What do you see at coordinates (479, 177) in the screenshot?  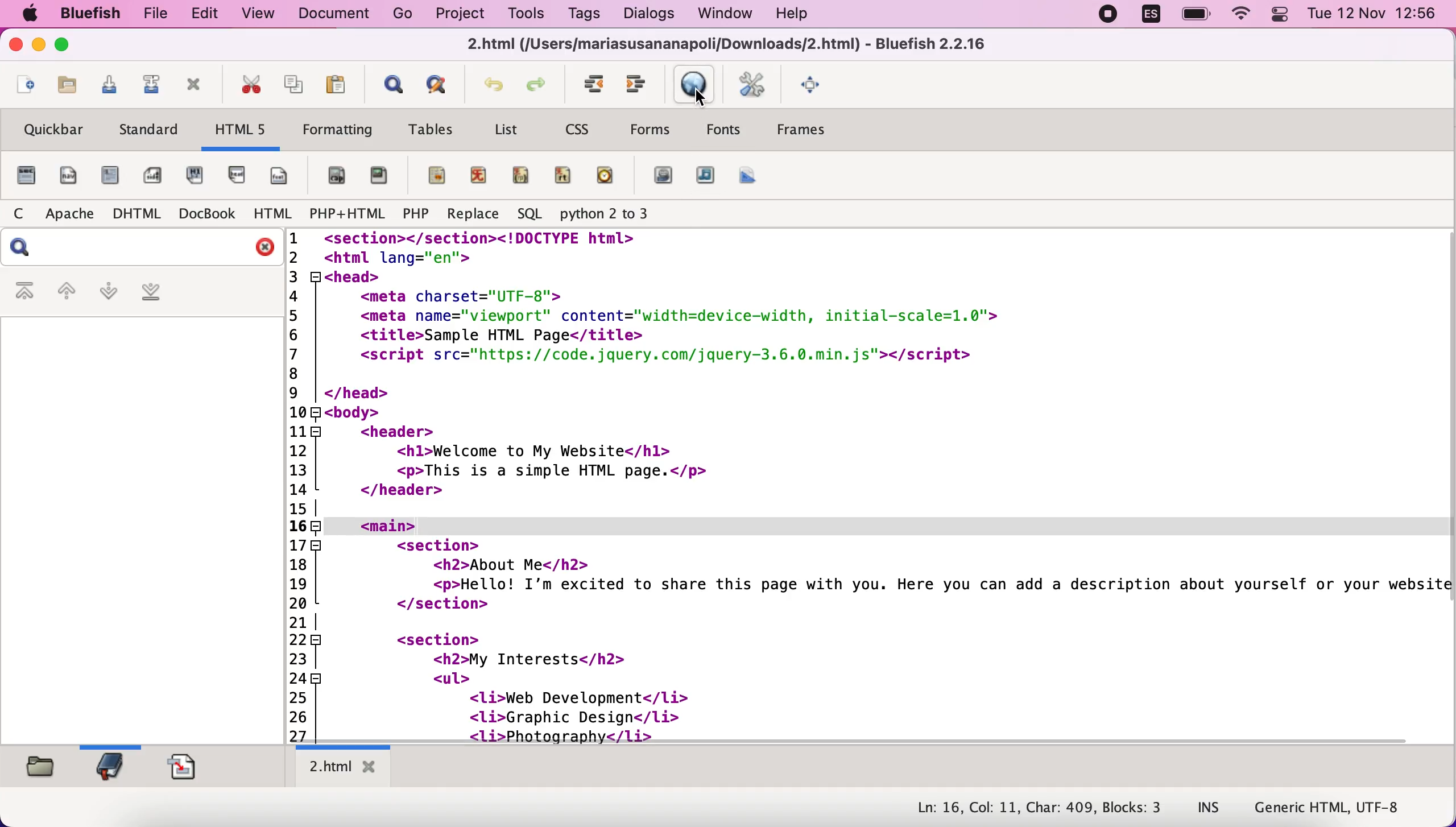 I see `center` at bounding box center [479, 177].